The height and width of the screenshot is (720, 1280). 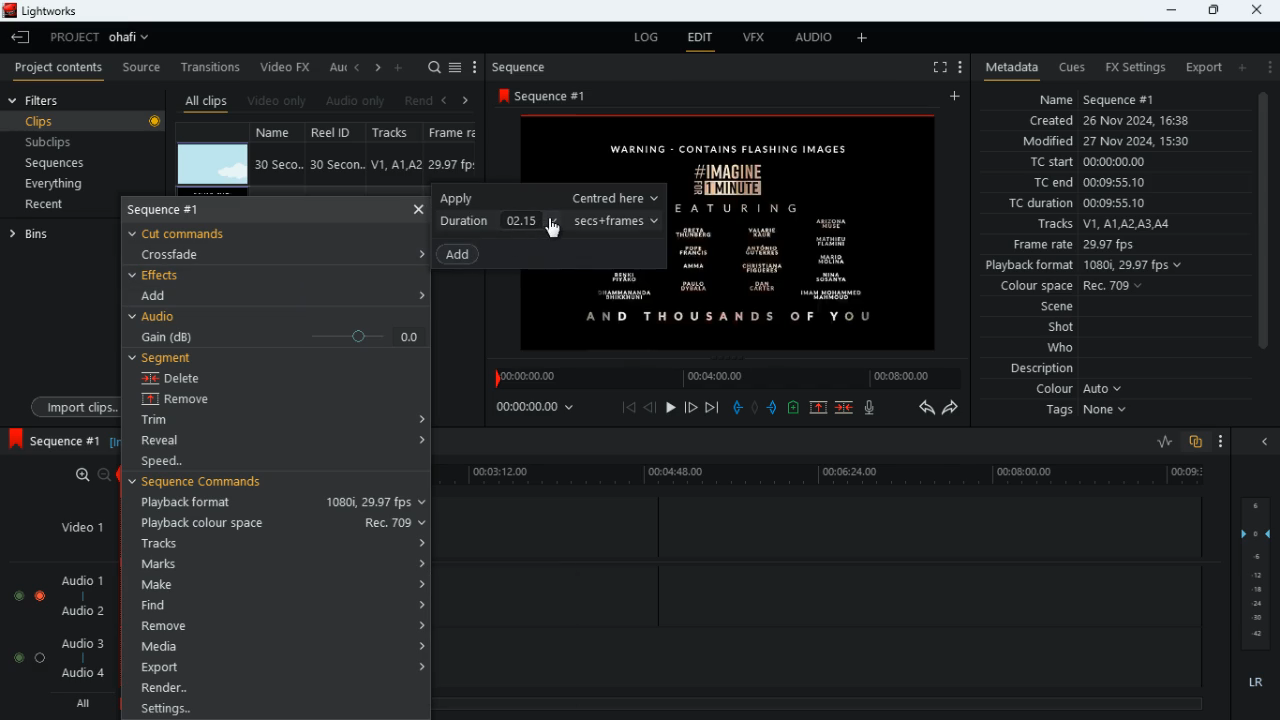 I want to click on up, so click(x=818, y=409).